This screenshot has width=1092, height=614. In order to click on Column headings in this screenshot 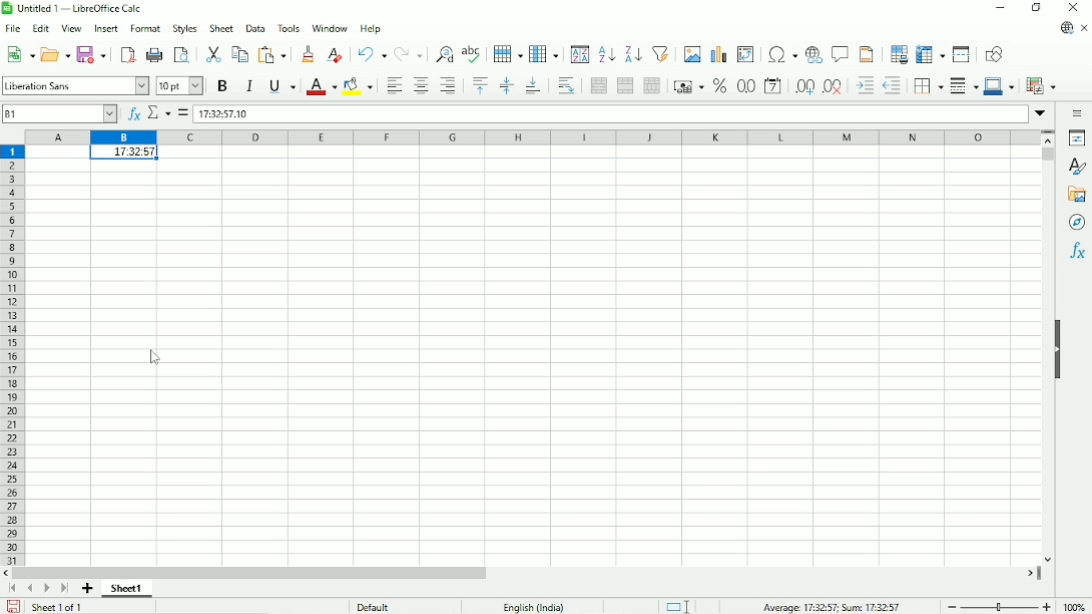, I will do `click(533, 137)`.